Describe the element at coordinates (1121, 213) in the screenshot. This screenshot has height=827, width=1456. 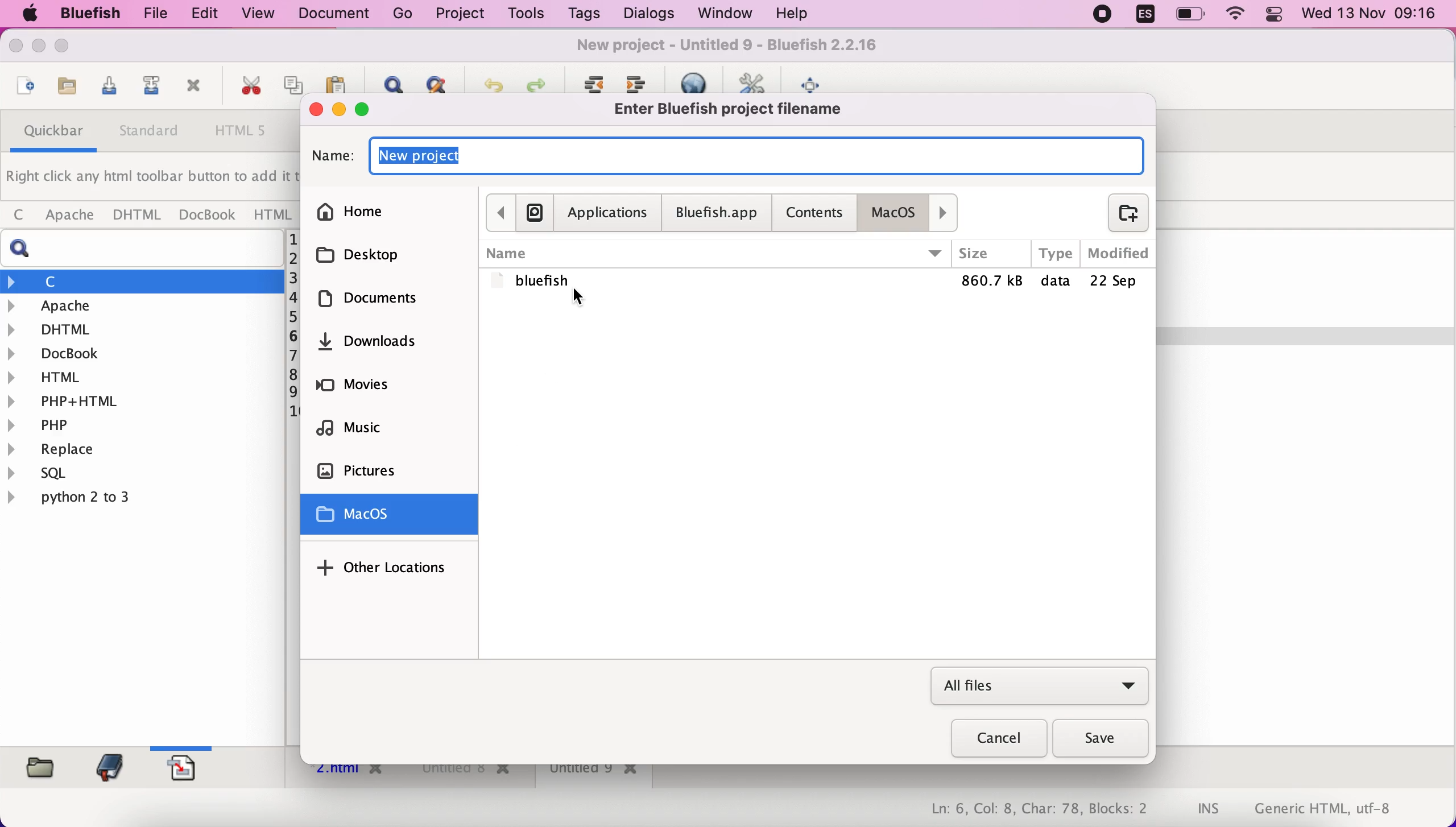
I see `create folder` at that location.